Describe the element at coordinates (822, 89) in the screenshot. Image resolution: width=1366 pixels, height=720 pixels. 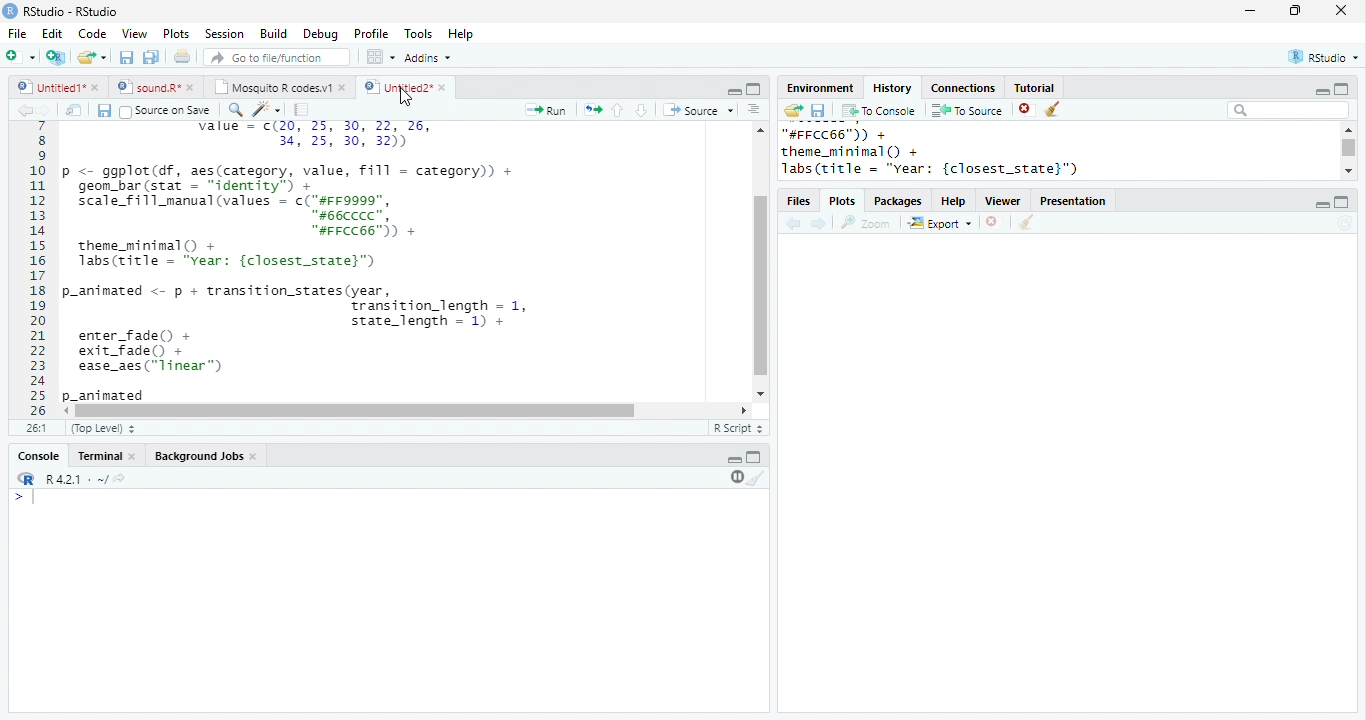
I see `Environment` at that location.